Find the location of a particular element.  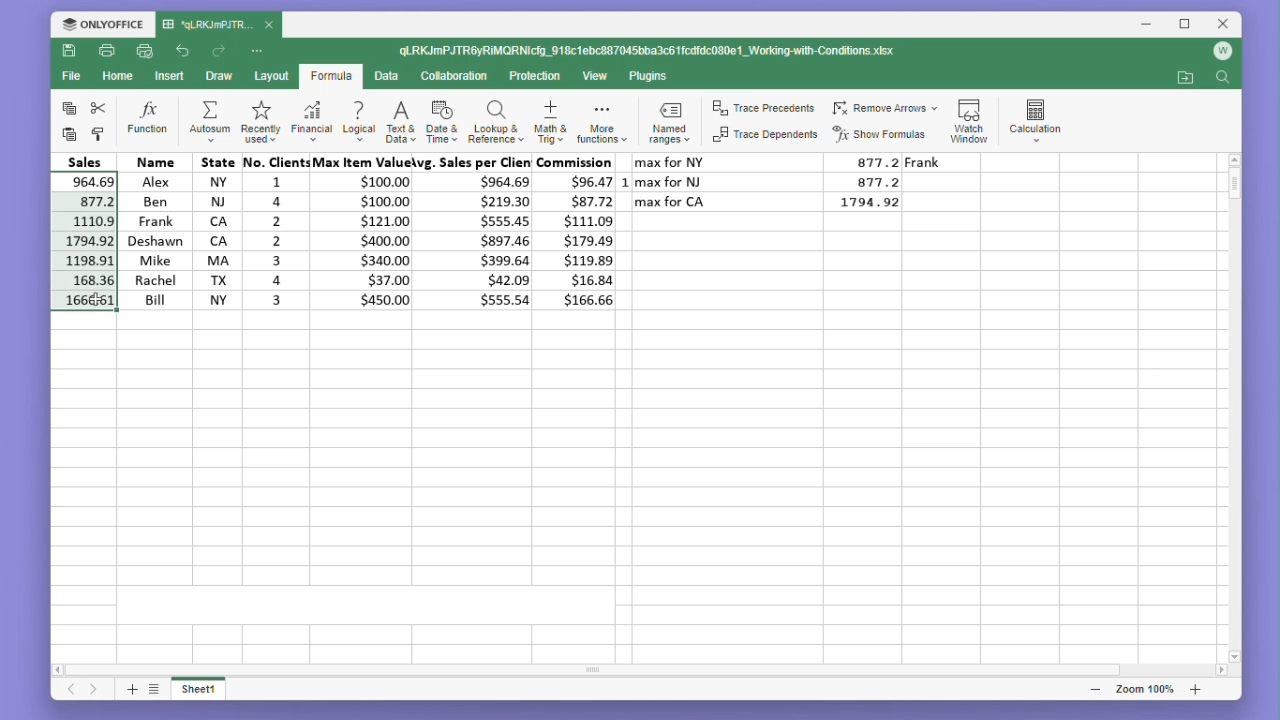

zoom out is located at coordinates (1097, 690).